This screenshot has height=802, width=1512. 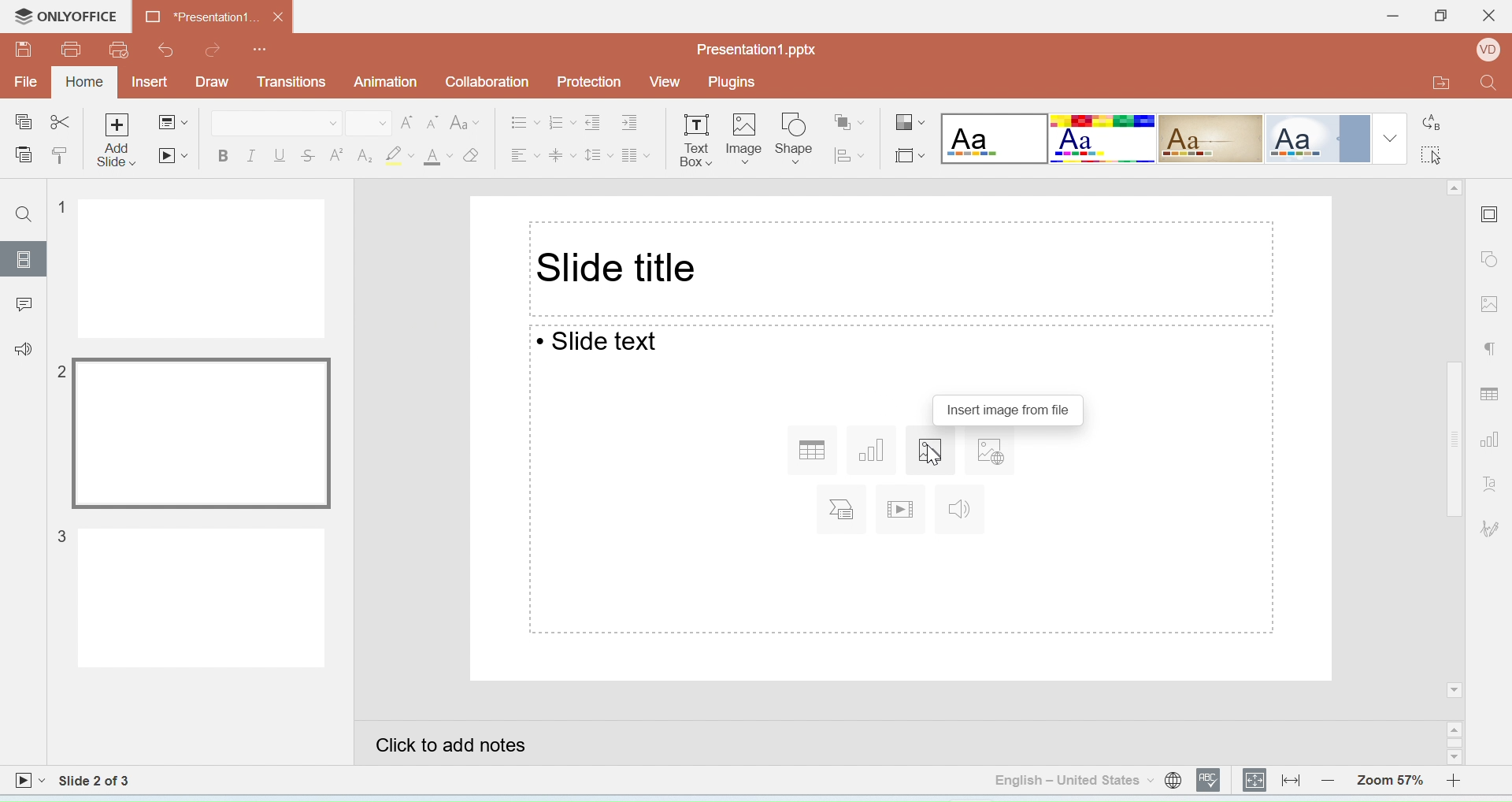 What do you see at coordinates (250, 157) in the screenshot?
I see `Italic` at bounding box center [250, 157].